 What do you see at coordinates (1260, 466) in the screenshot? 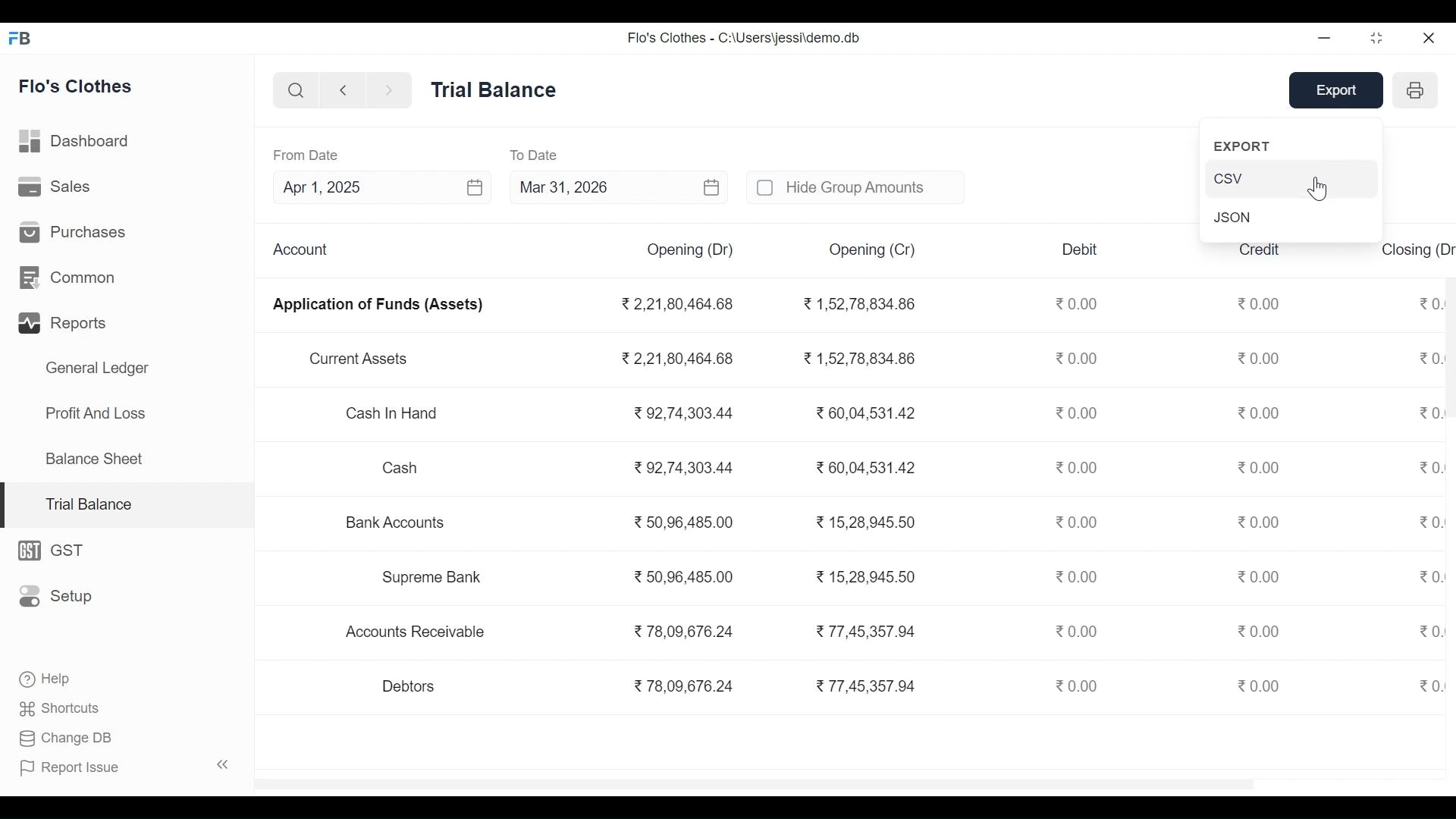
I see `0.00` at bounding box center [1260, 466].